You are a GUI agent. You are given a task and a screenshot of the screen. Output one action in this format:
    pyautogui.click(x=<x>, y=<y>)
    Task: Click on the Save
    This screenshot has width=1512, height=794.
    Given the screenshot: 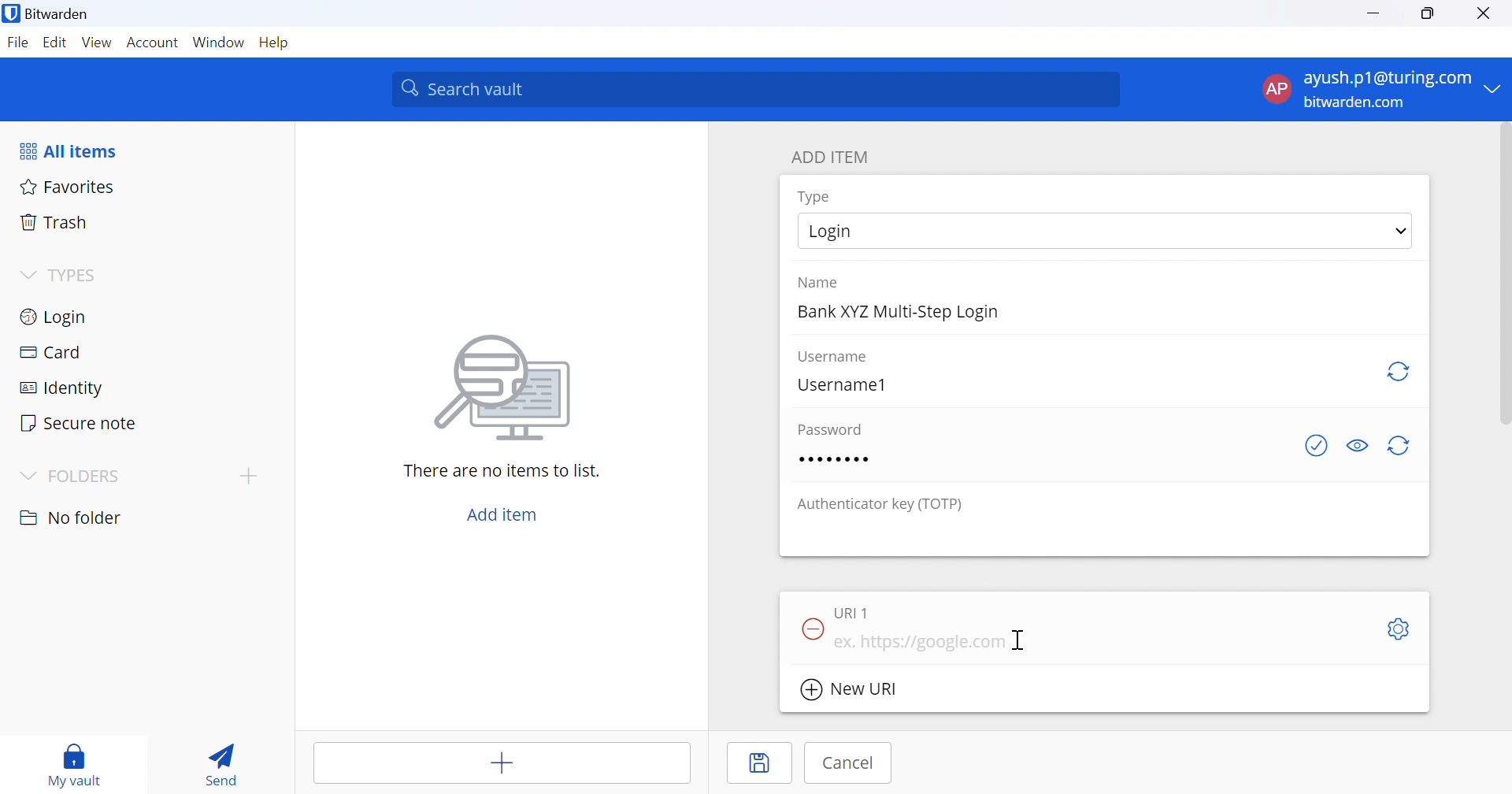 What is the action you would take?
    pyautogui.click(x=760, y=763)
    